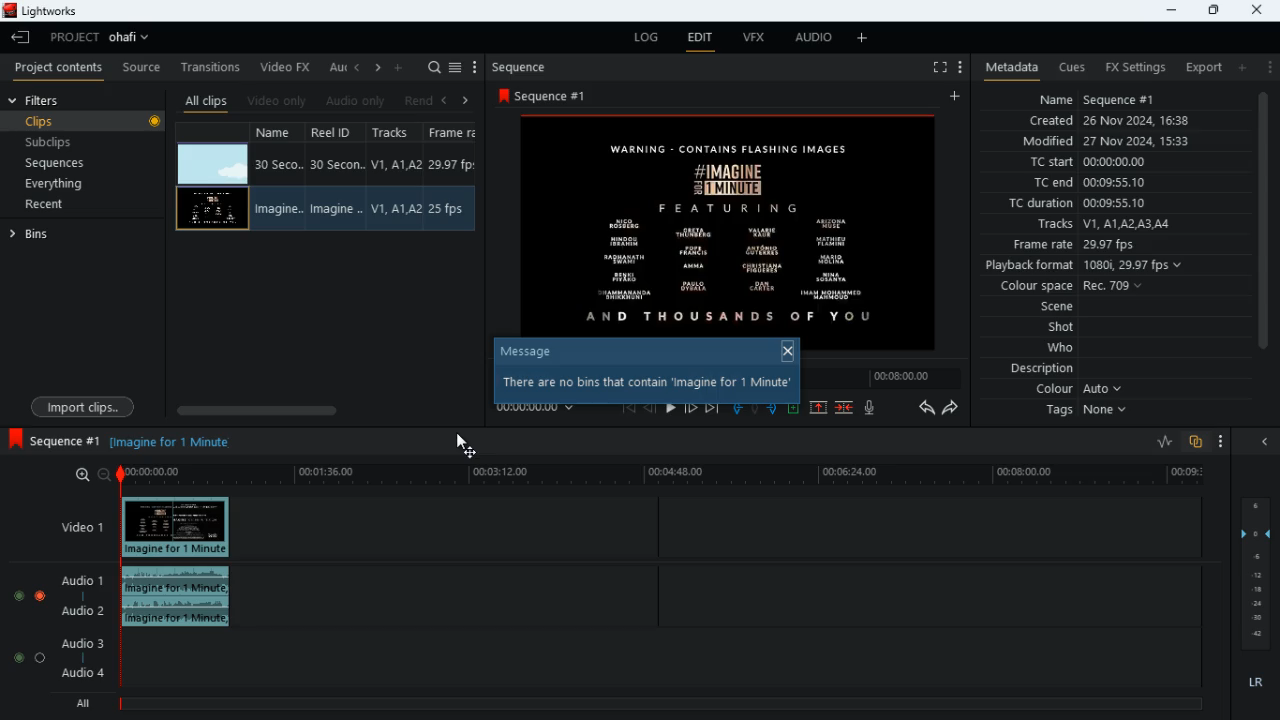  What do you see at coordinates (18, 597) in the screenshot?
I see `toggle` at bounding box center [18, 597].